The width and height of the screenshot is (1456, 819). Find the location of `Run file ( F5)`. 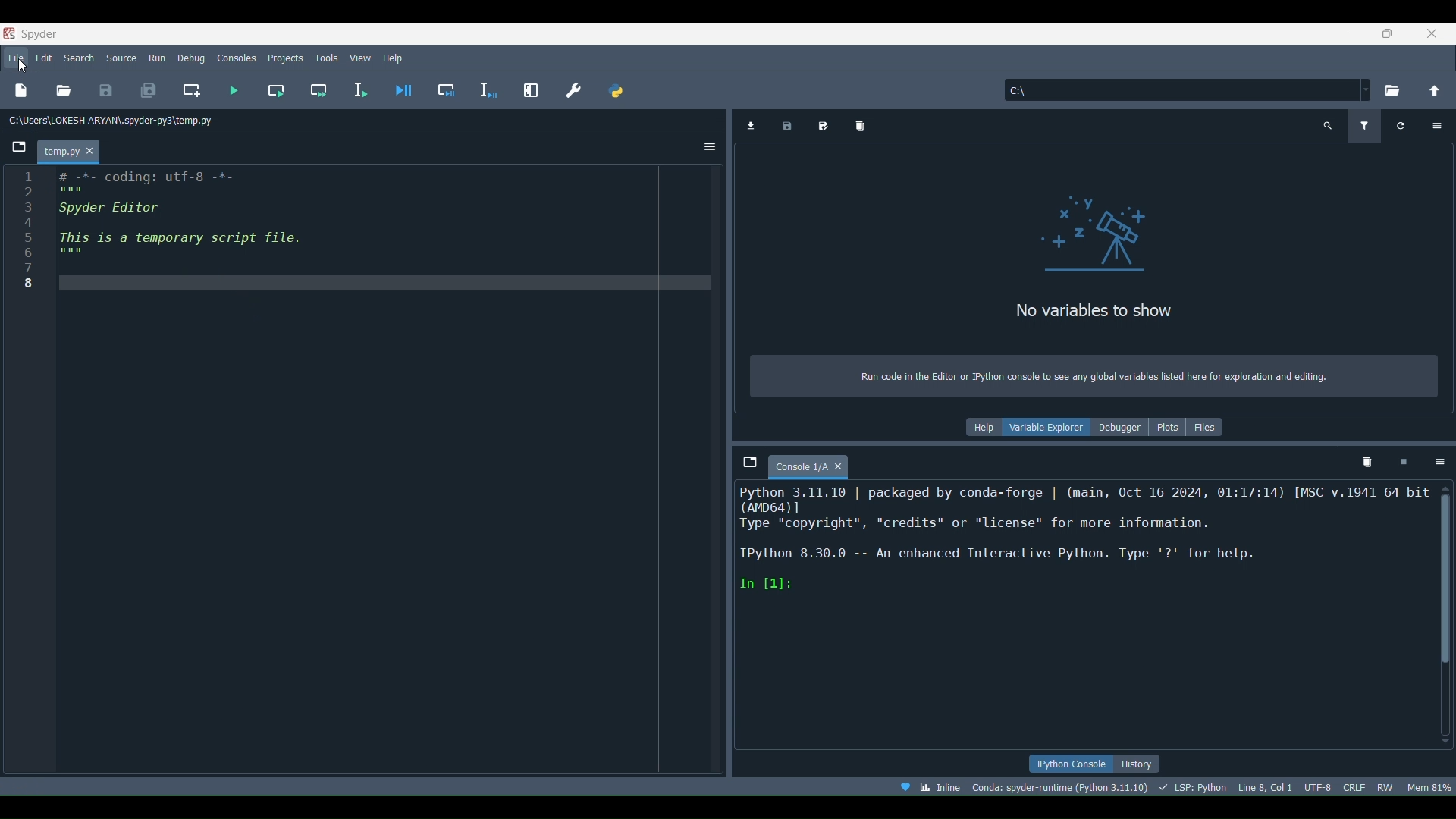

Run file ( F5) is located at coordinates (231, 91).